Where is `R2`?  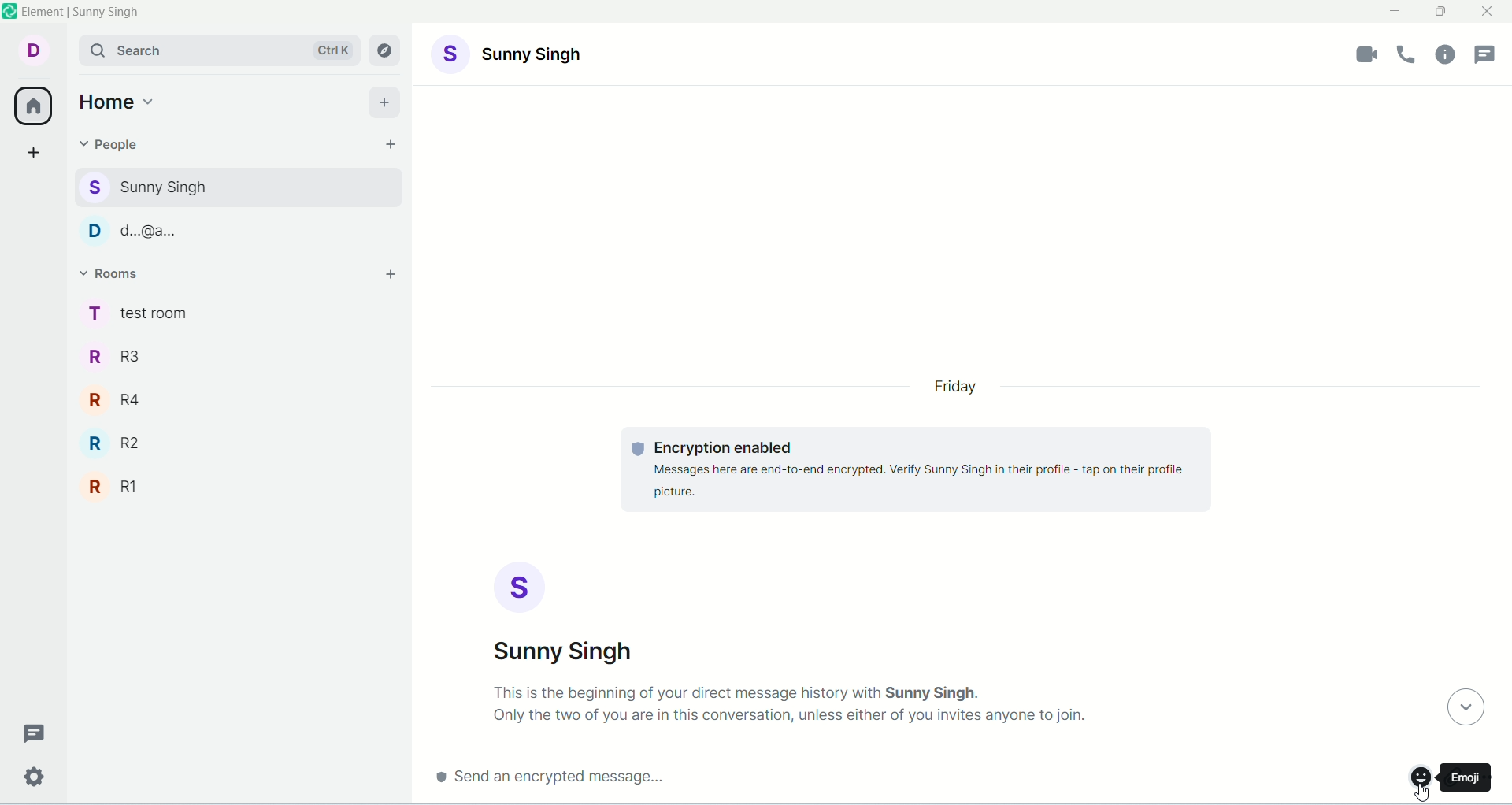
R2 is located at coordinates (239, 438).